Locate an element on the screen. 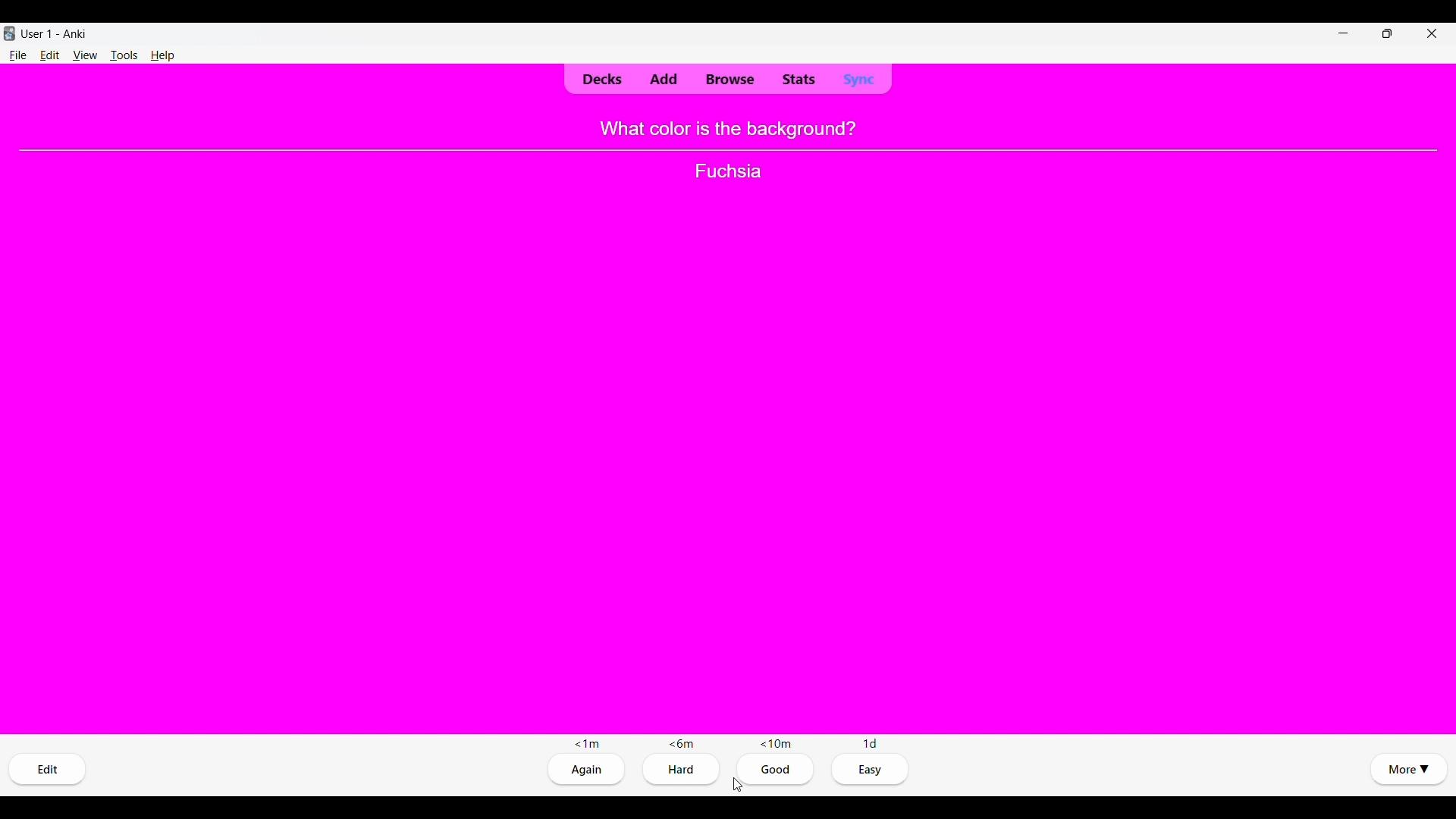  Again button is located at coordinates (589, 770).